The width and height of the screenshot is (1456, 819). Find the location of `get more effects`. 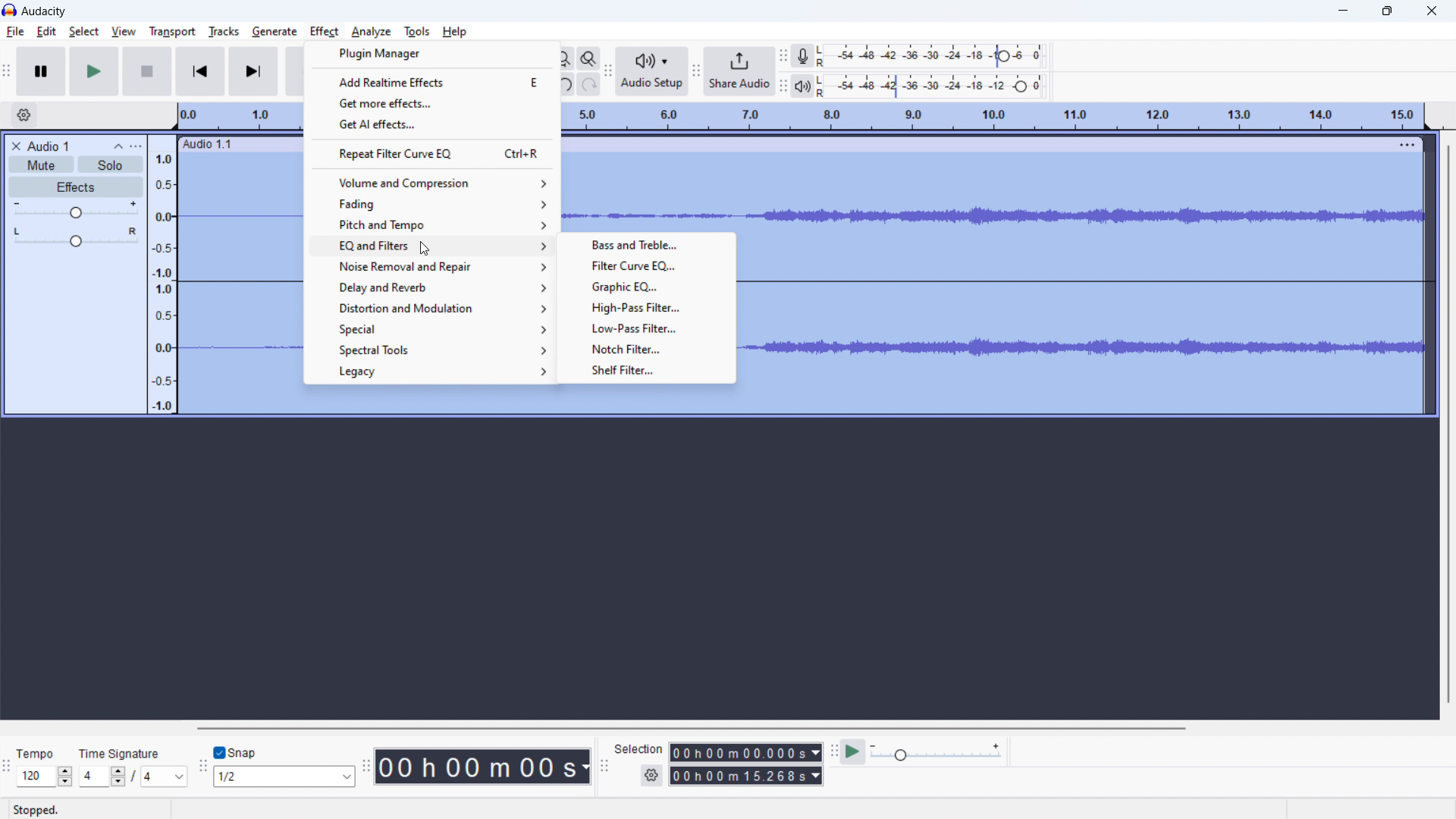

get more effects is located at coordinates (434, 102).